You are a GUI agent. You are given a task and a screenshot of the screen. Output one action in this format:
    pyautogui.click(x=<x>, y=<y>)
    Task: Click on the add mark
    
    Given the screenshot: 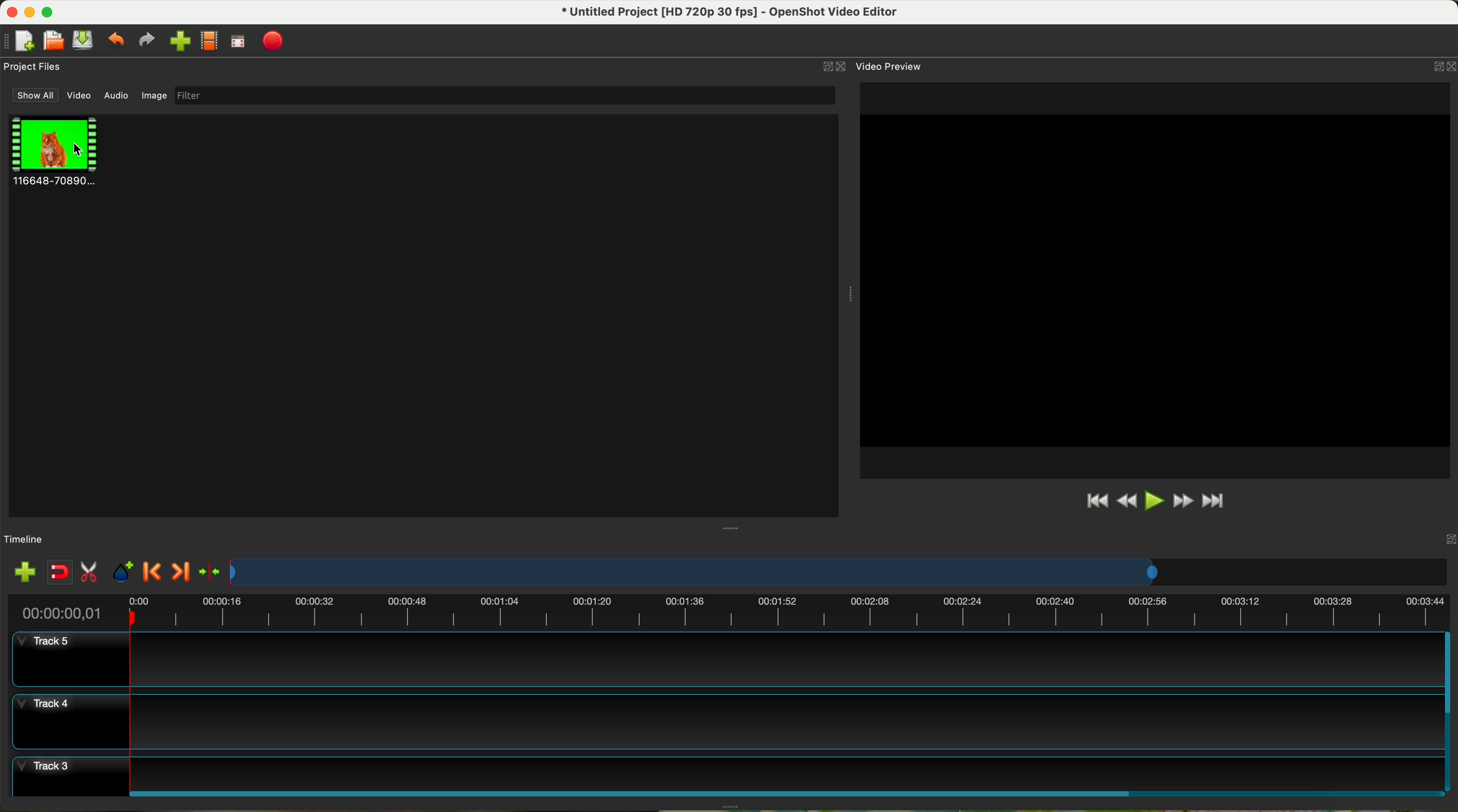 What is the action you would take?
    pyautogui.click(x=123, y=572)
    